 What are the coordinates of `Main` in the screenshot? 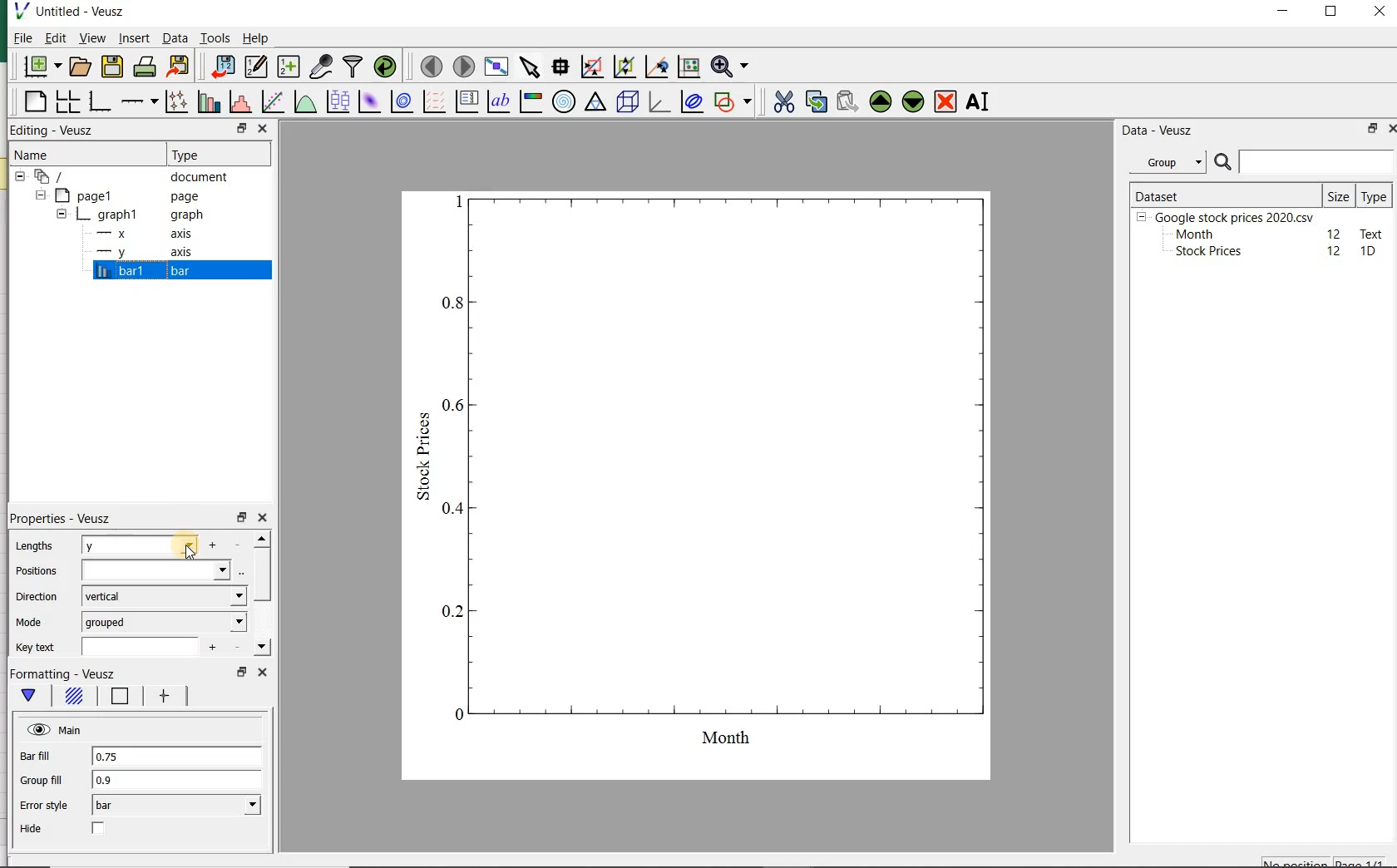 It's located at (56, 729).